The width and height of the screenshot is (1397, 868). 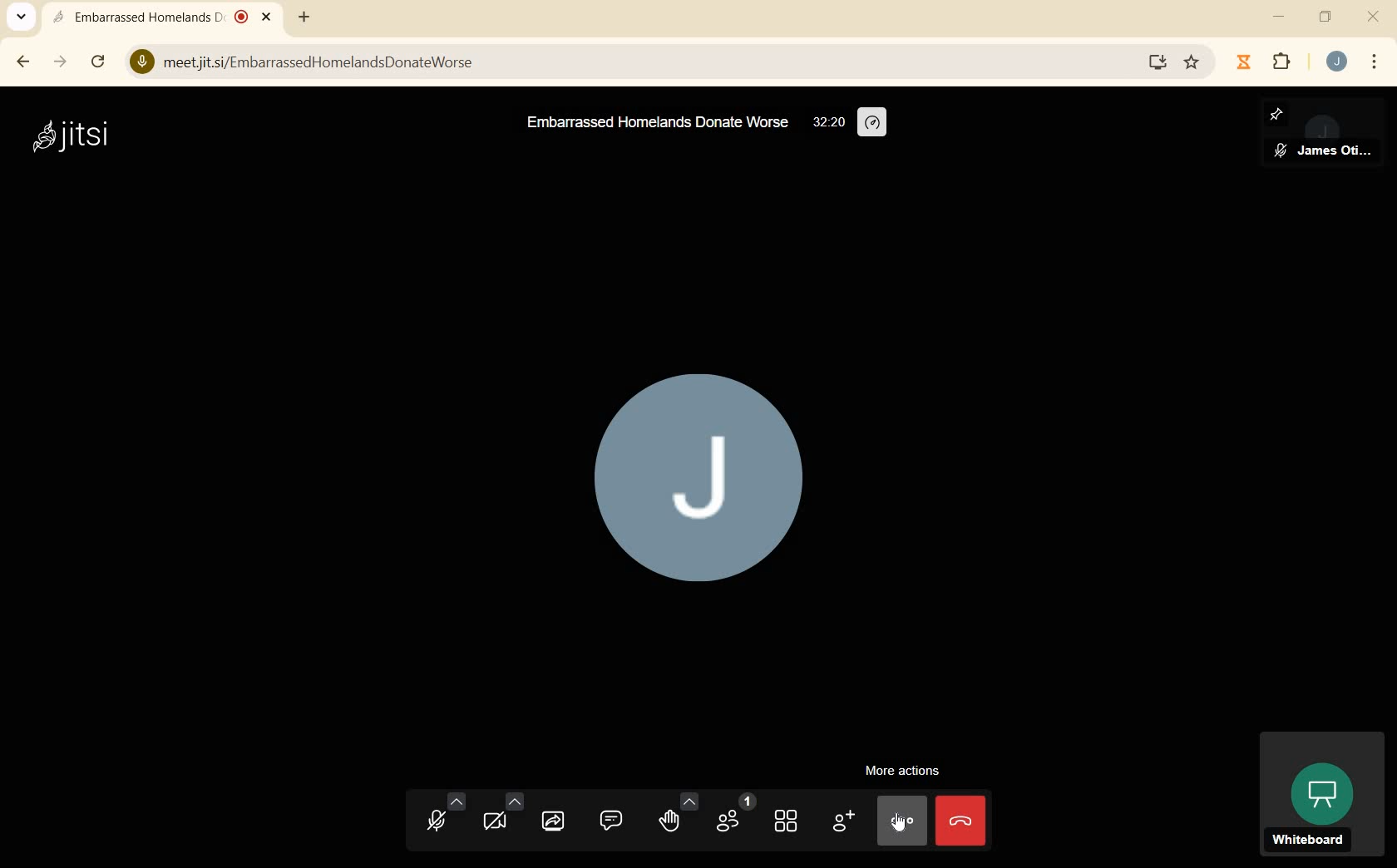 What do you see at coordinates (1322, 135) in the screenshot?
I see `moderator screen pinned` at bounding box center [1322, 135].